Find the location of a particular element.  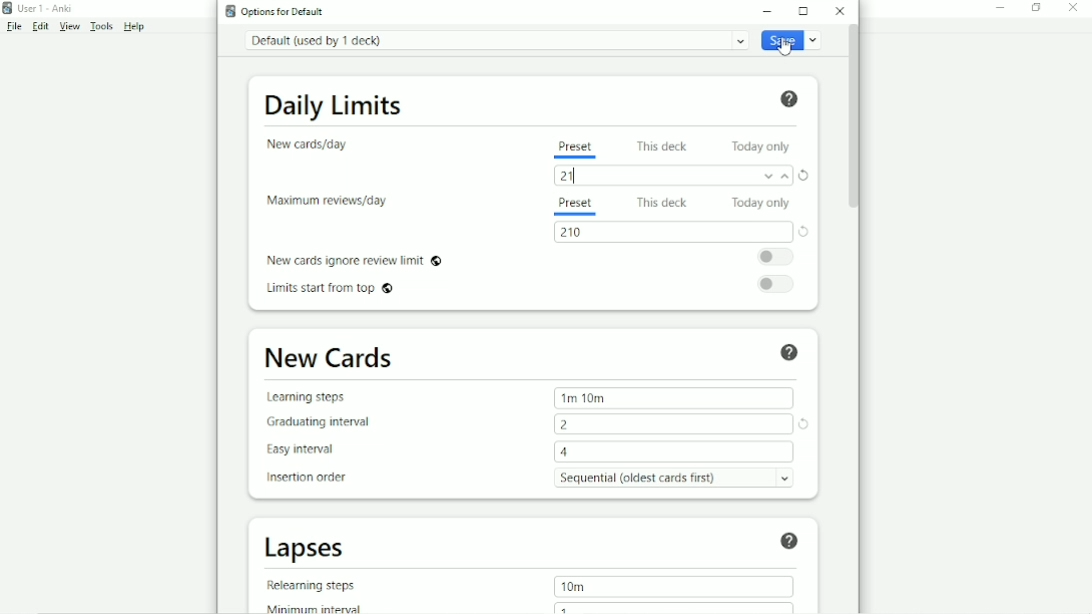

Limits start from top is located at coordinates (329, 288).